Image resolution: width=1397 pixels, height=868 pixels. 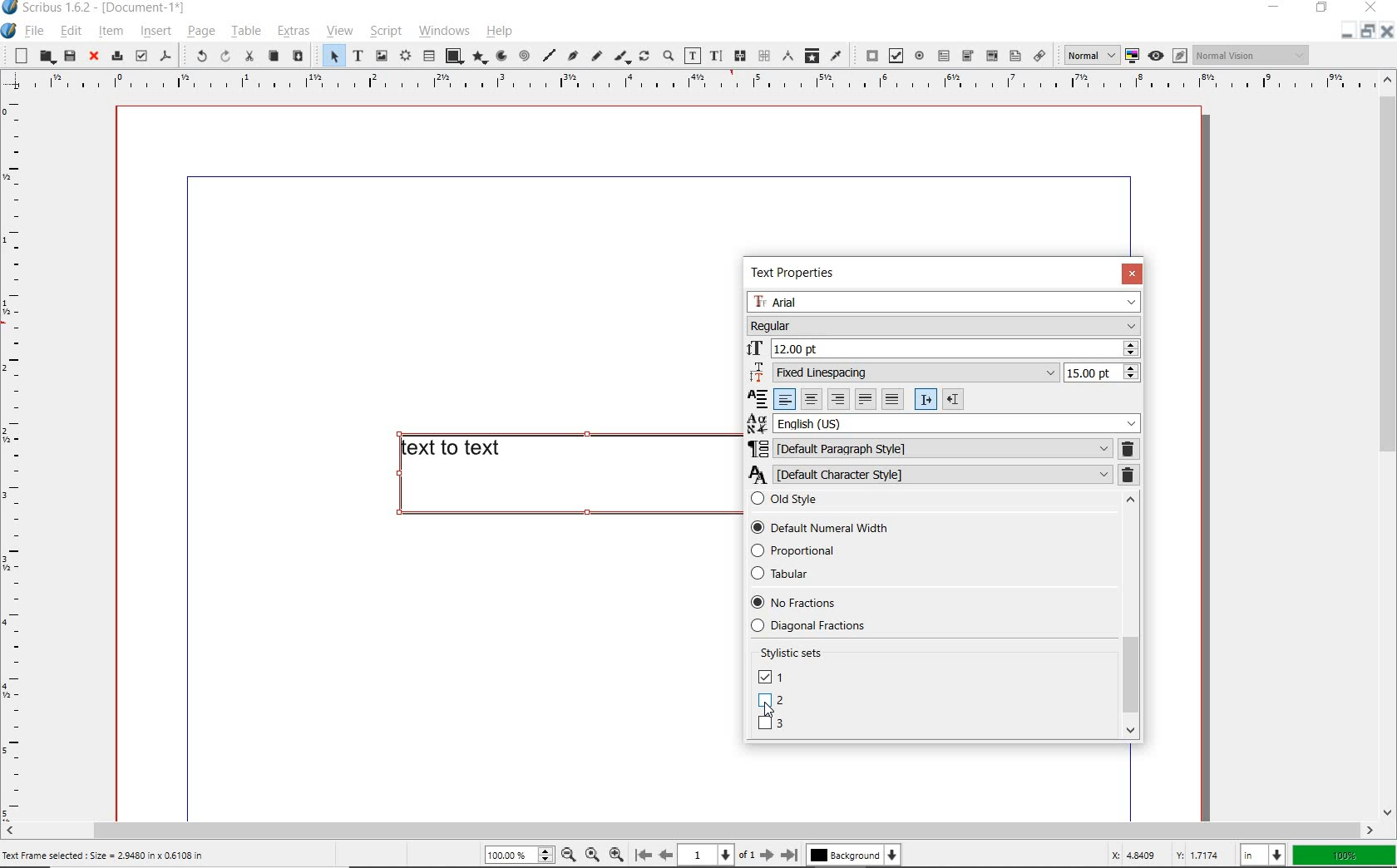 I want to click on shape, so click(x=453, y=57).